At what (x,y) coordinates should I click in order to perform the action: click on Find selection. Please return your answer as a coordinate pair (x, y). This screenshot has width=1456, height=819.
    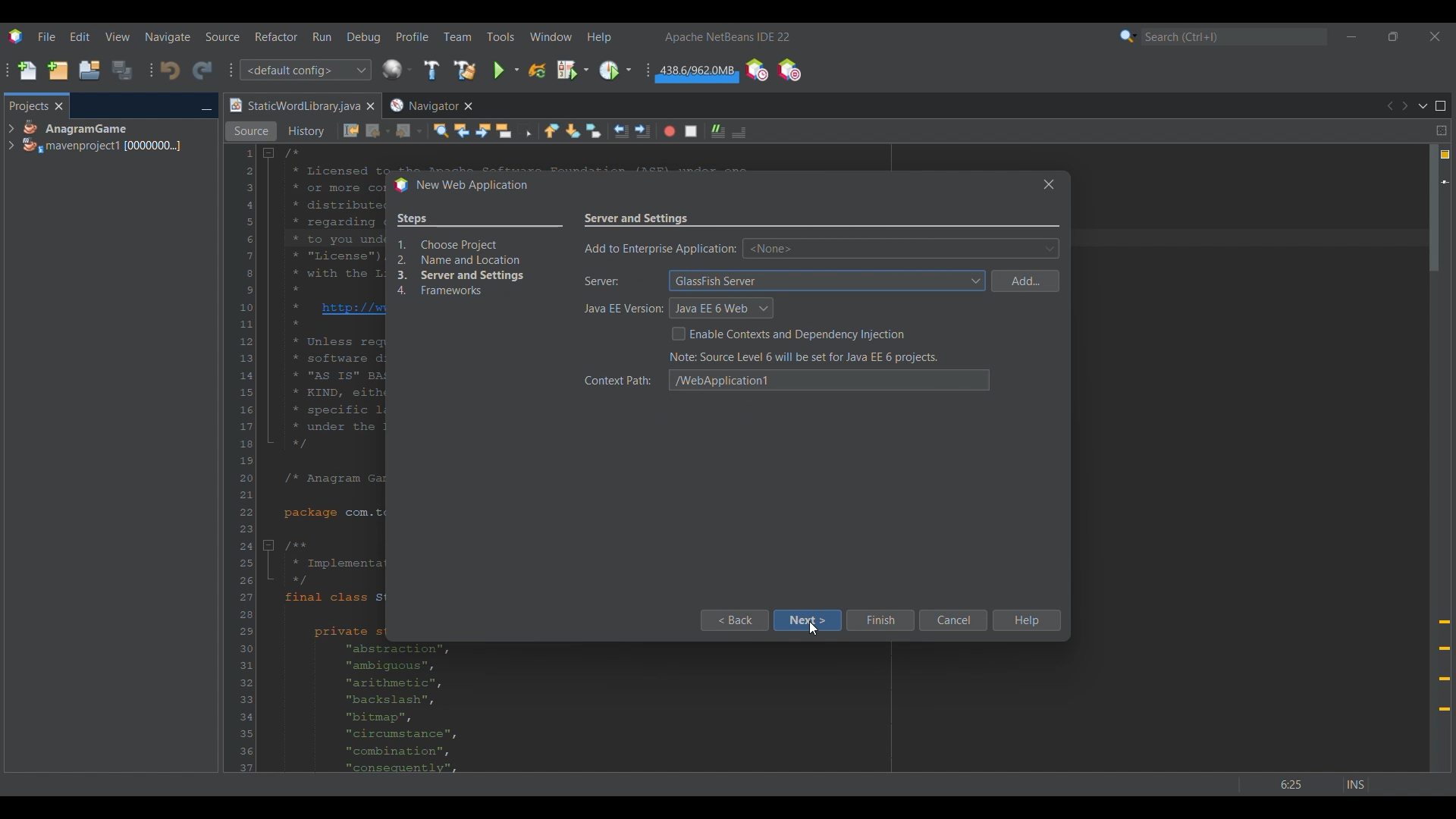
    Looking at the image, I should click on (441, 130).